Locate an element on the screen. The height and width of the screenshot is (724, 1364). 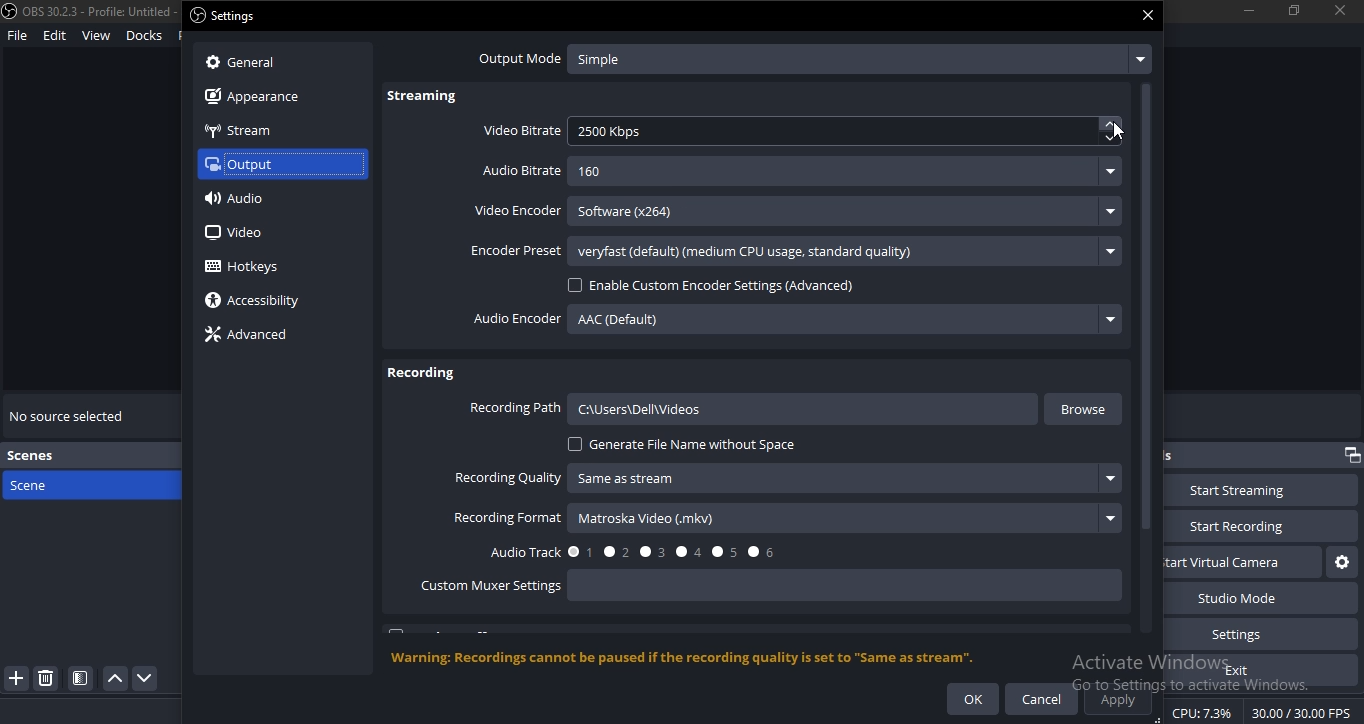
audio is located at coordinates (242, 198).